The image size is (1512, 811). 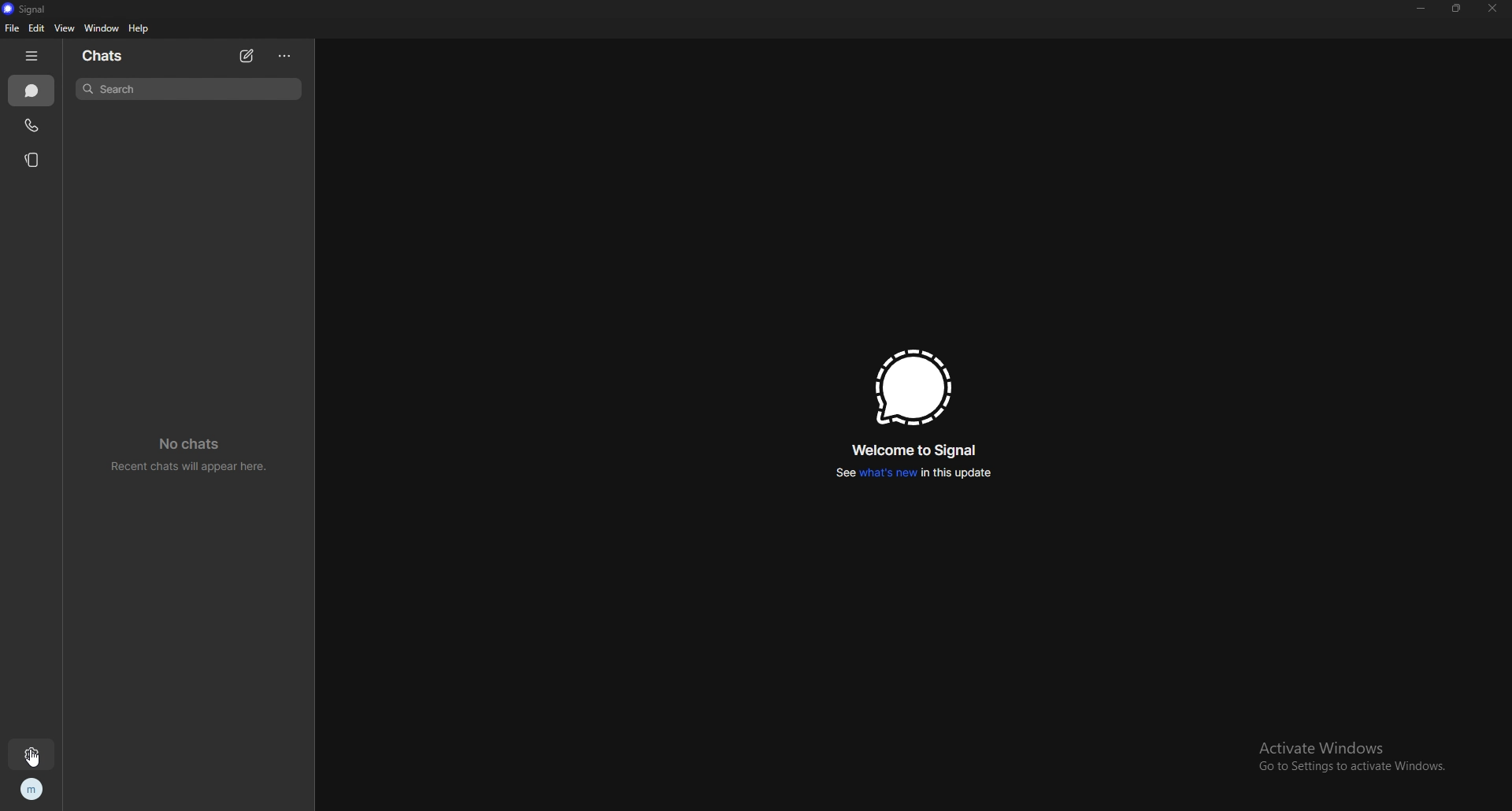 I want to click on minimize, so click(x=1422, y=8).